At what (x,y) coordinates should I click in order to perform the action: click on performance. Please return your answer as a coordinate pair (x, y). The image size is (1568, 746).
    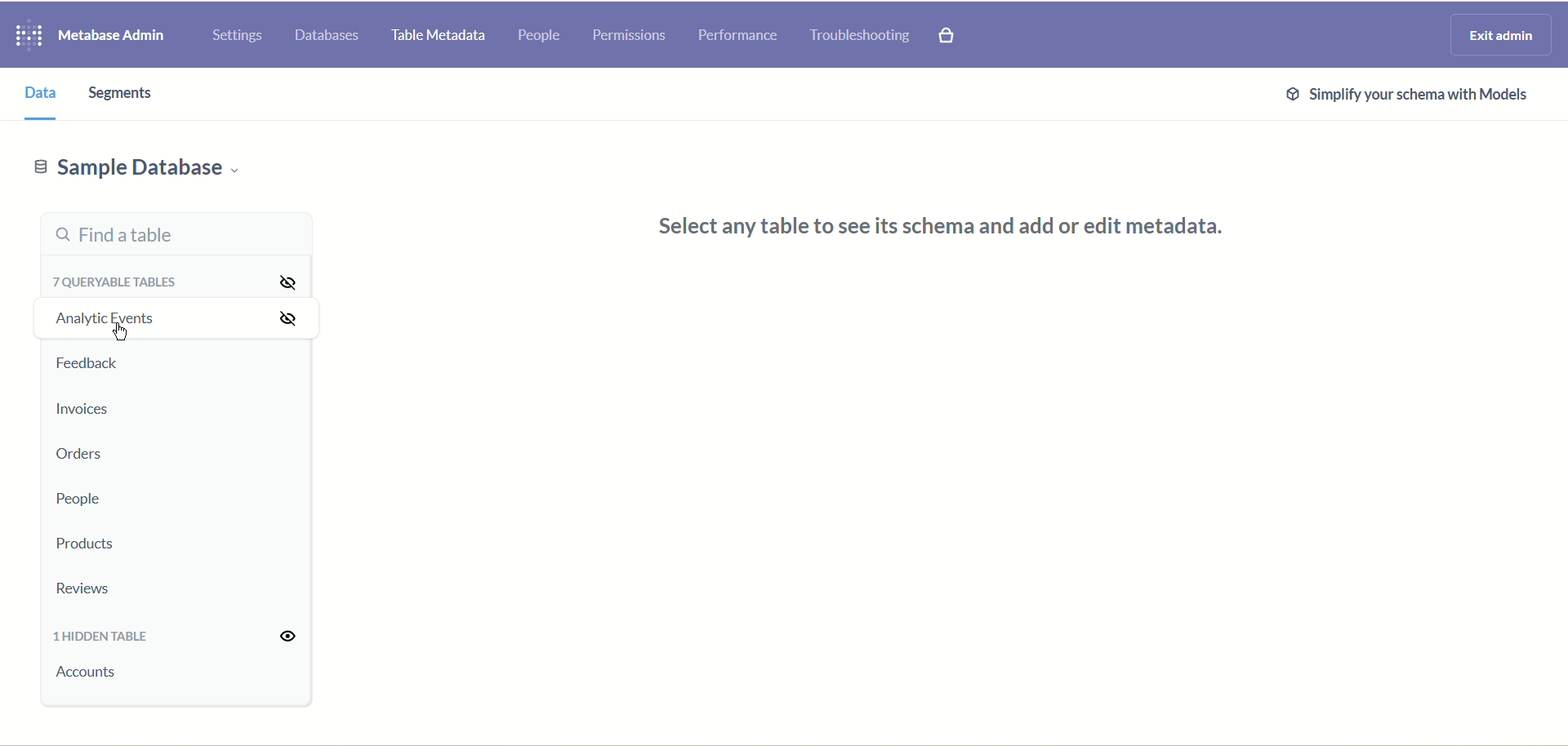
    Looking at the image, I should click on (738, 35).